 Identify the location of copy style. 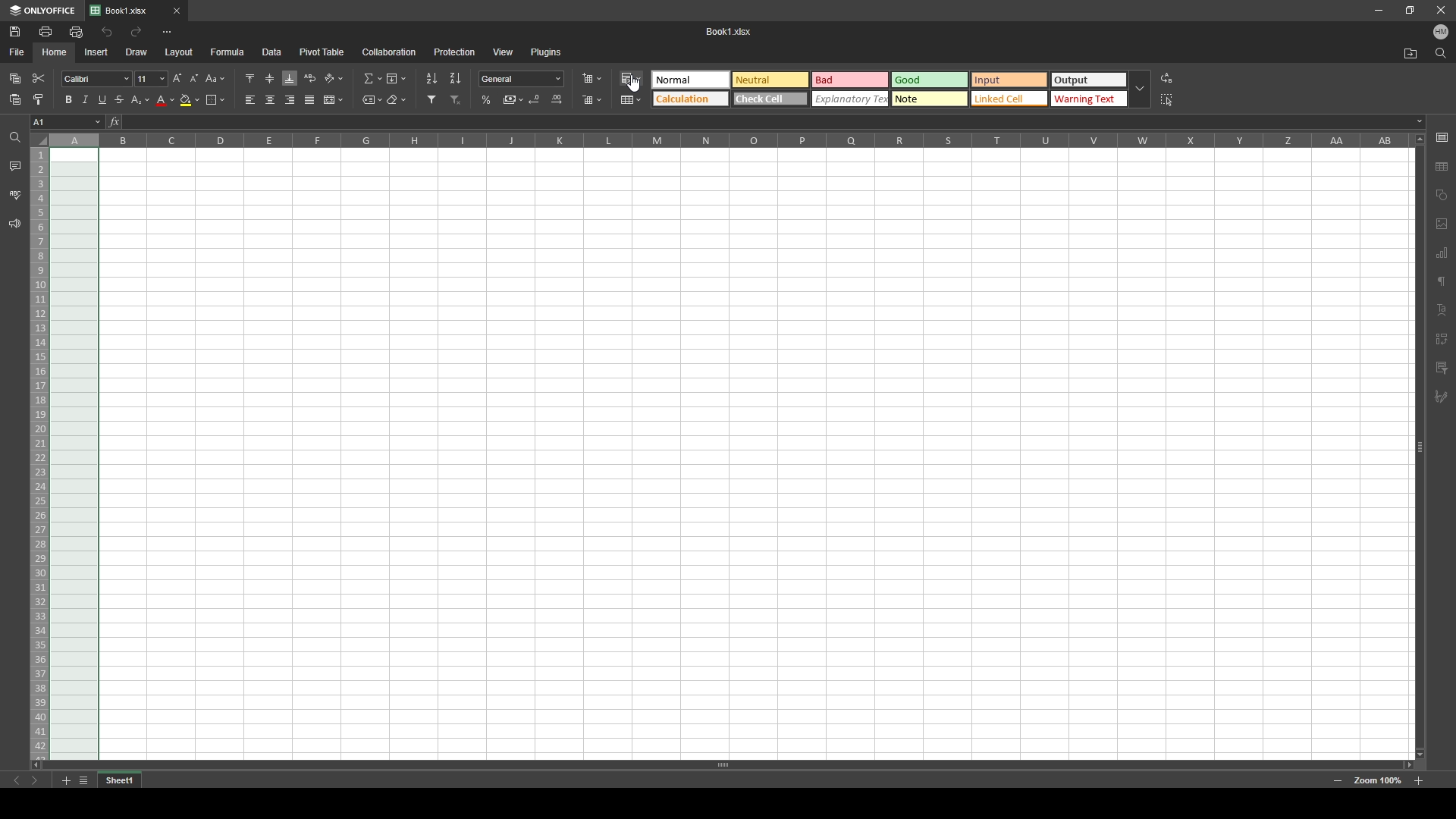
(38, 99).